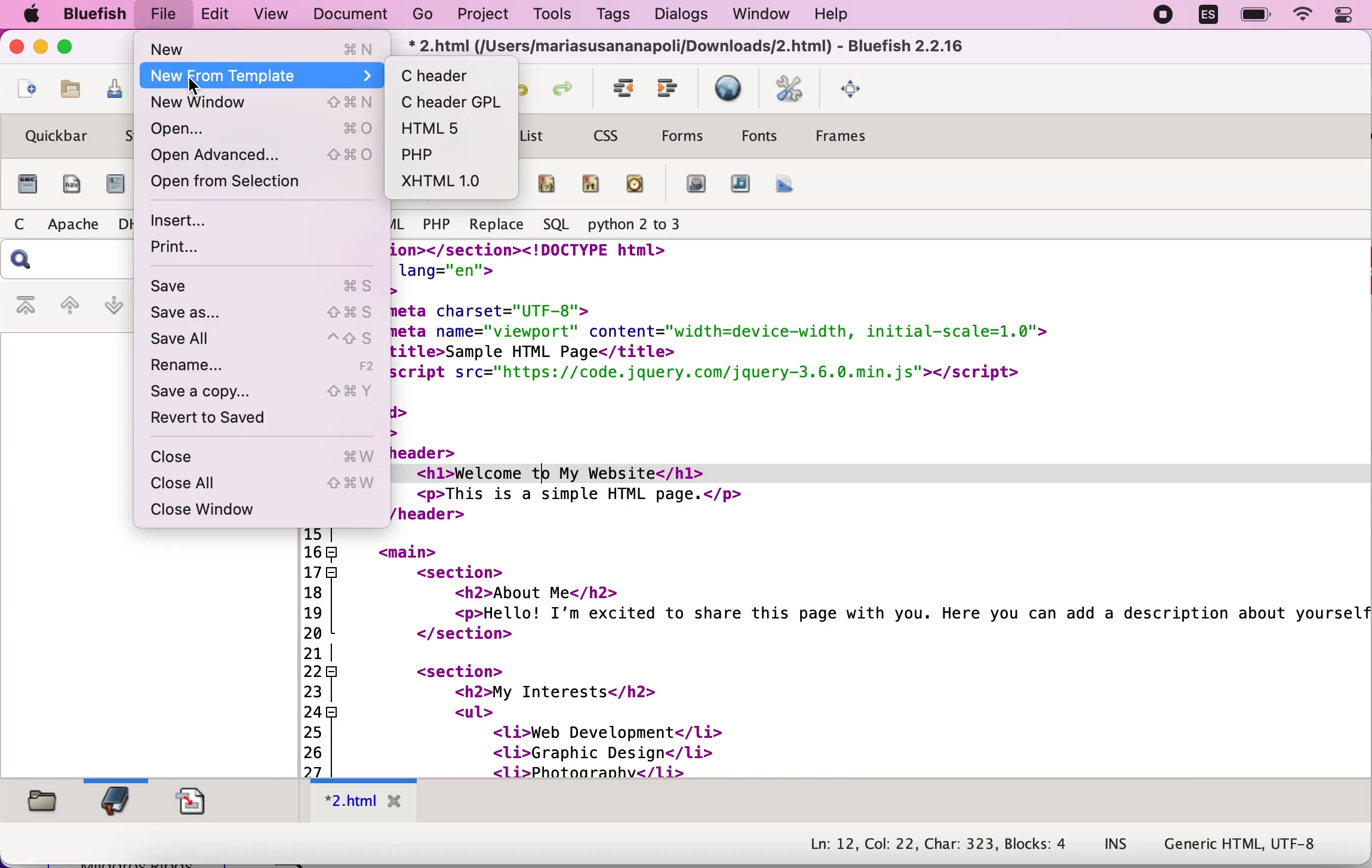 The width and height of the screenshot is (1372, 868). What do you see at coordinates (758, 135) in the screenshot?
I see `fonts` at bounding box center [758, 135].